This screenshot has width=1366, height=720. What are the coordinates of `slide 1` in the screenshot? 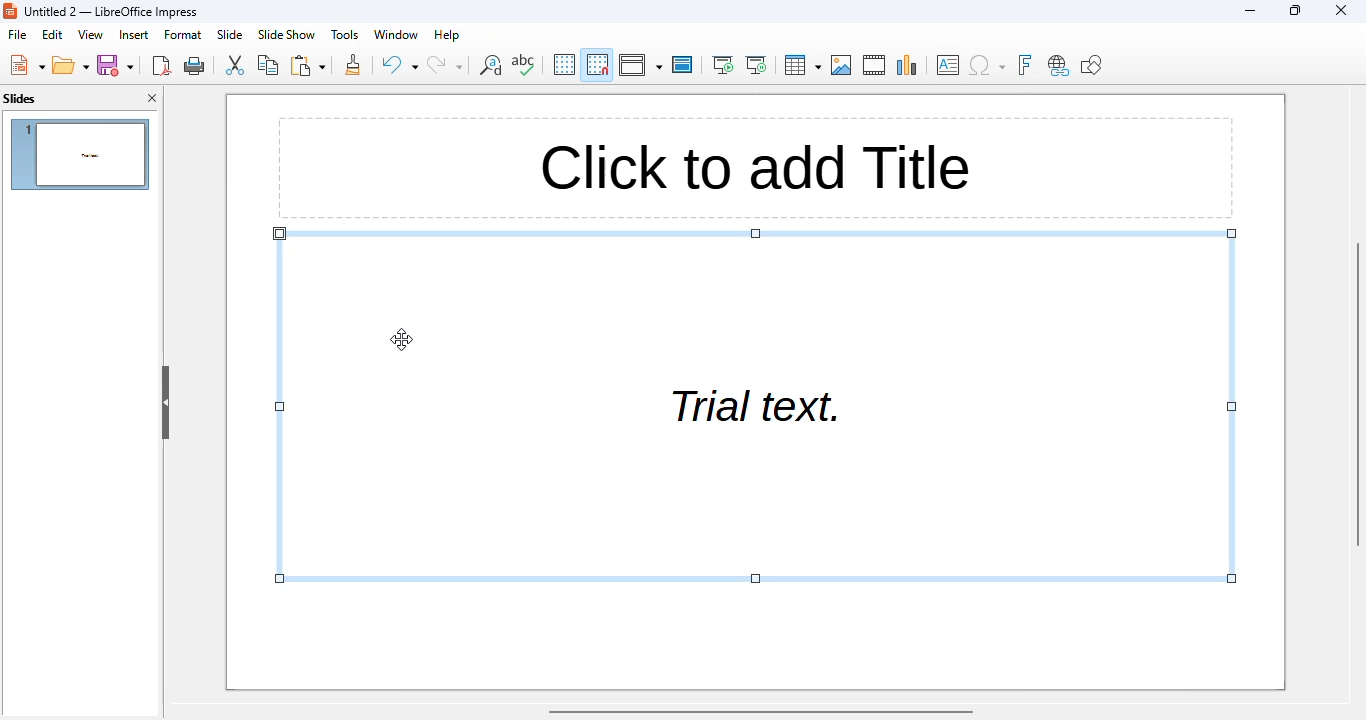 It's located at (80, 155).